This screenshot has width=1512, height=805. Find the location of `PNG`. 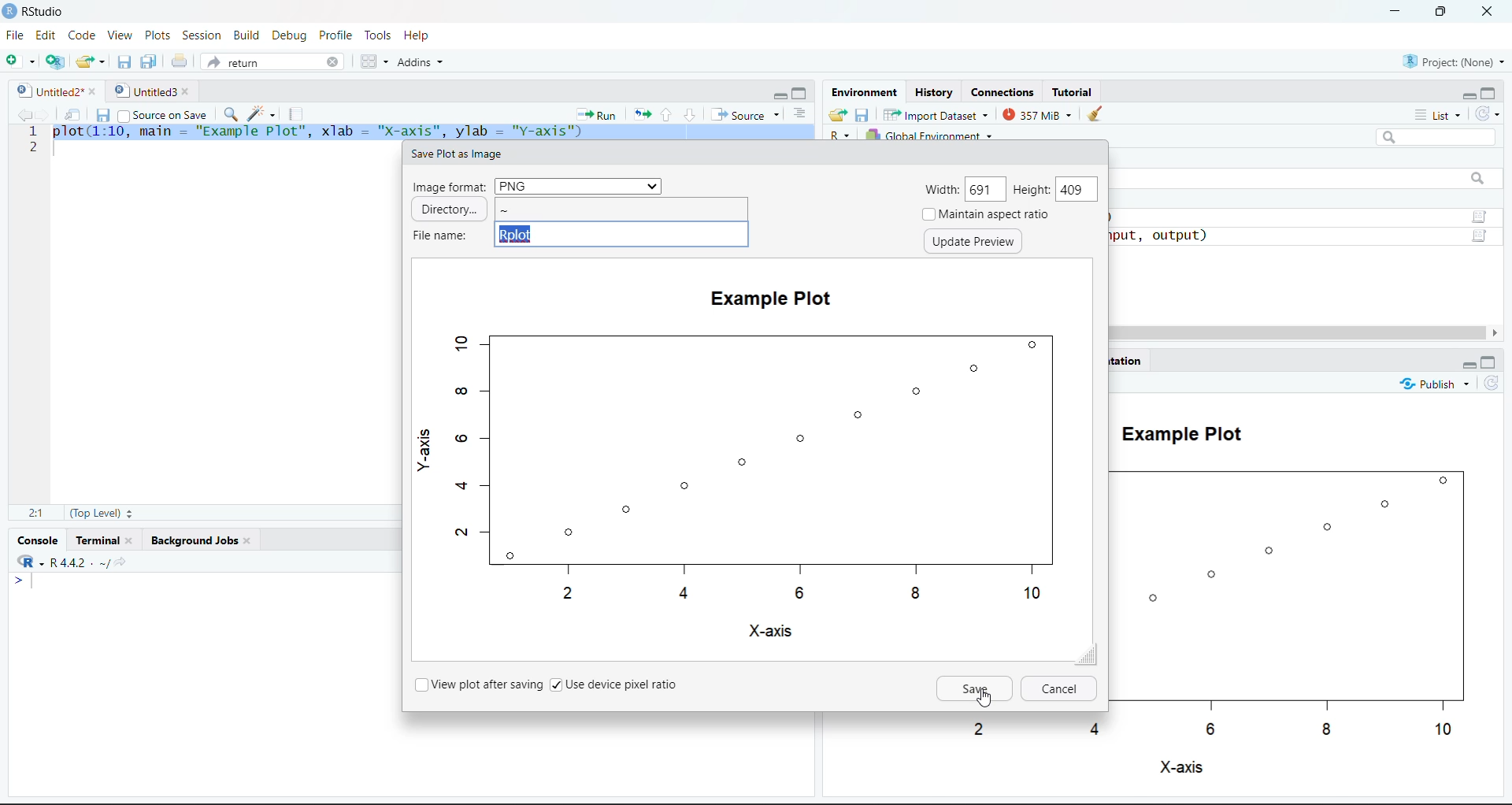

PNG is located at coordinates (577, 186).